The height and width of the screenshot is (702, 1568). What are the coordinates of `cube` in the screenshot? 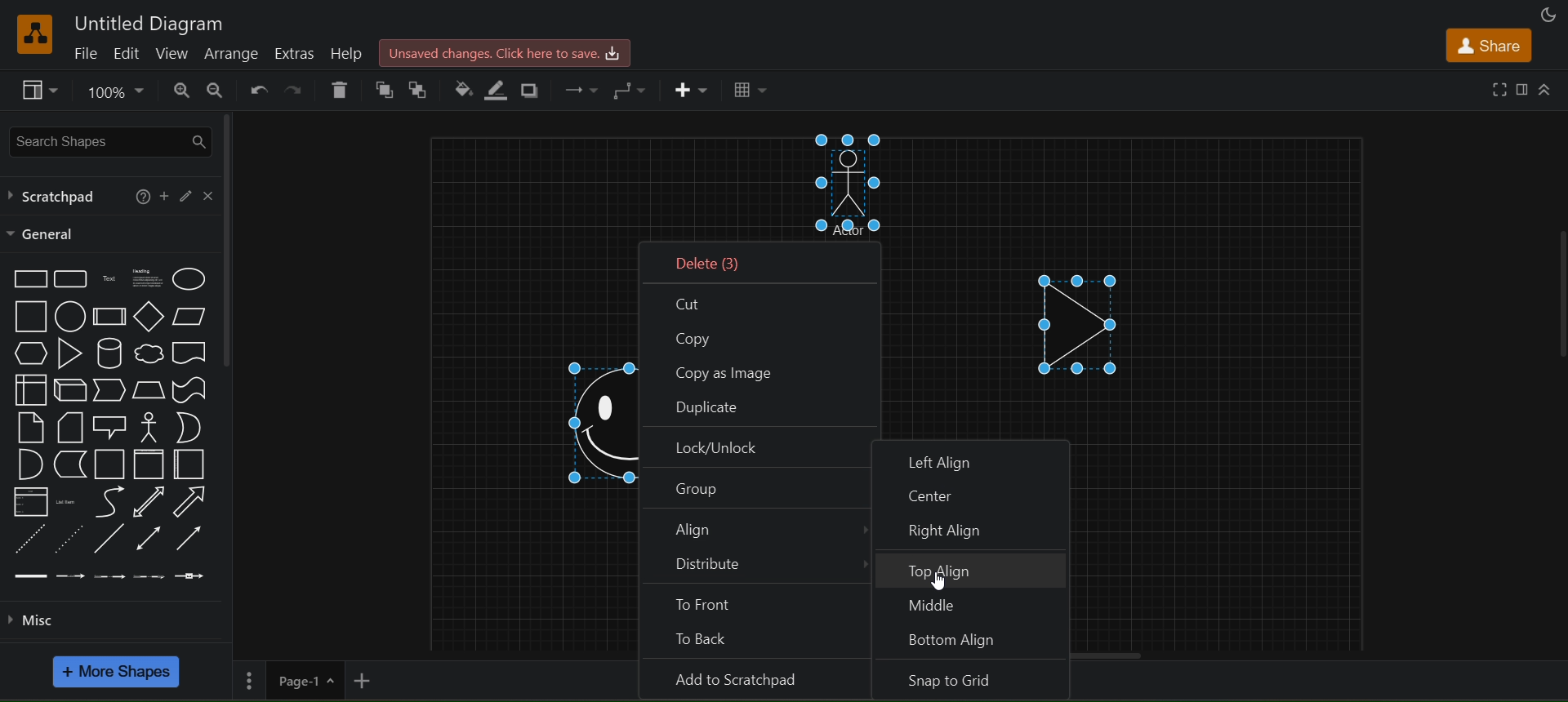 It's located at (67, 389).